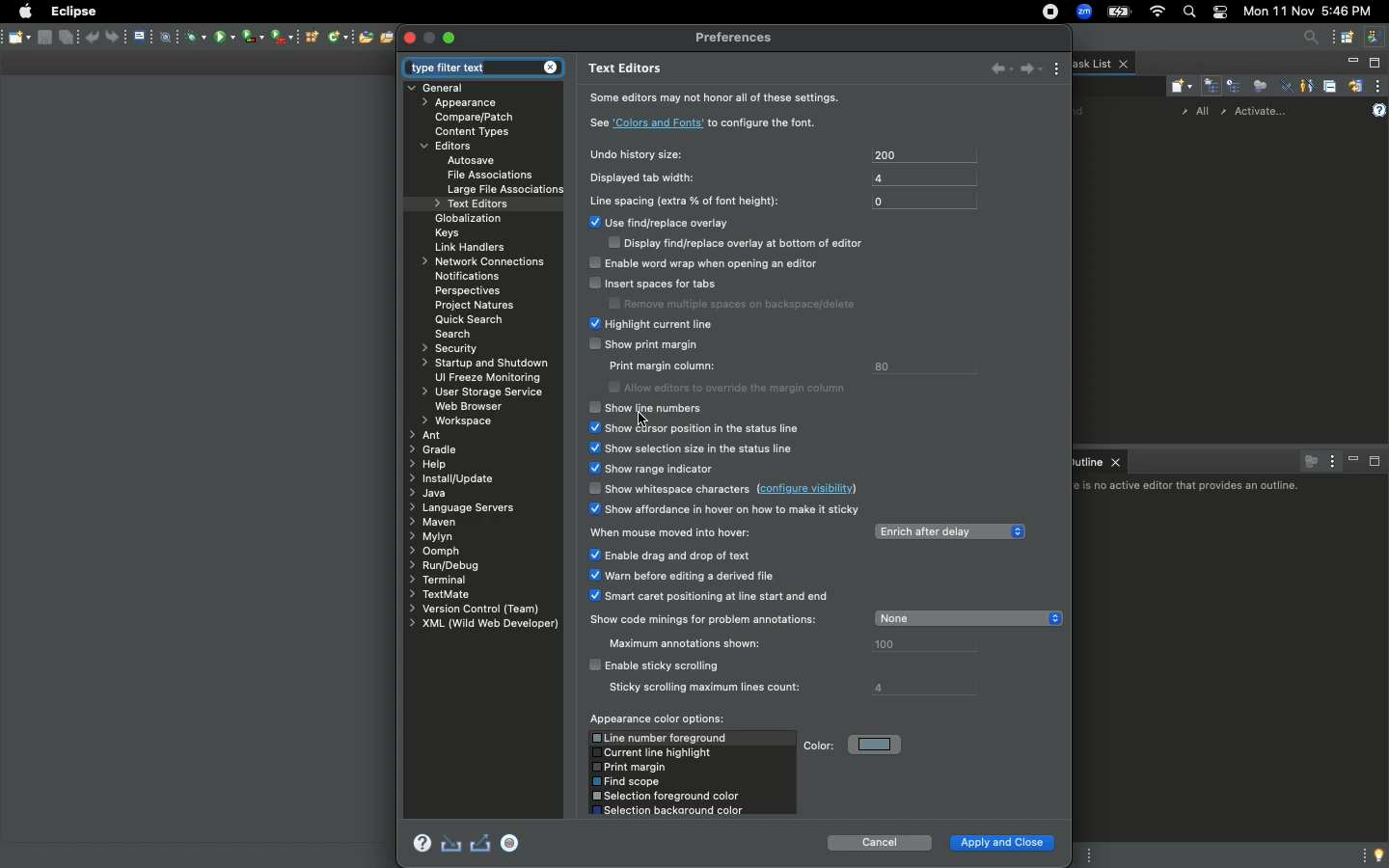  Describe the element at coordinates (430, 464) in the screenshot. I see `Help` at that location.